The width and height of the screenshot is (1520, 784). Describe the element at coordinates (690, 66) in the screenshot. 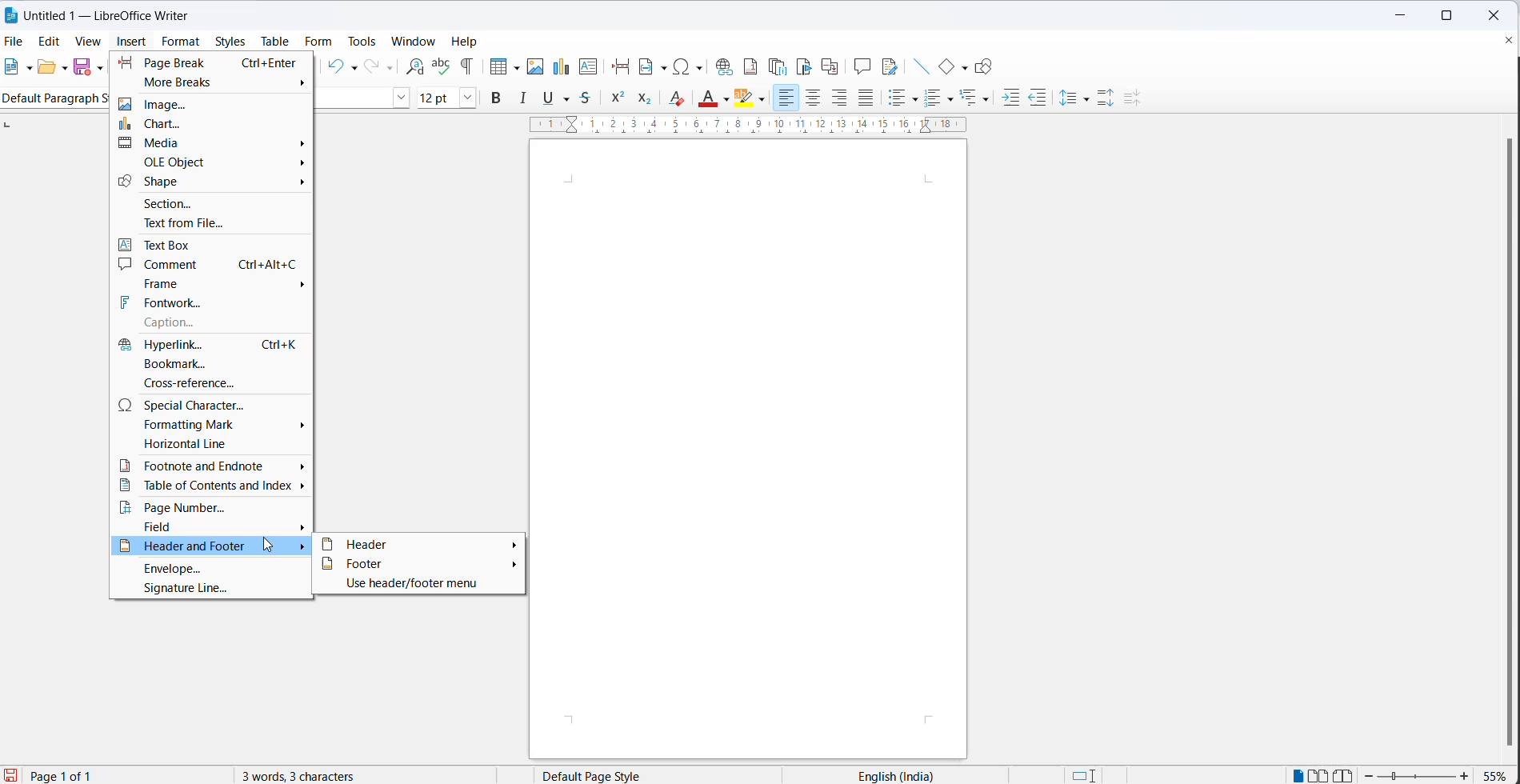

I see `insert special characters` at that location.